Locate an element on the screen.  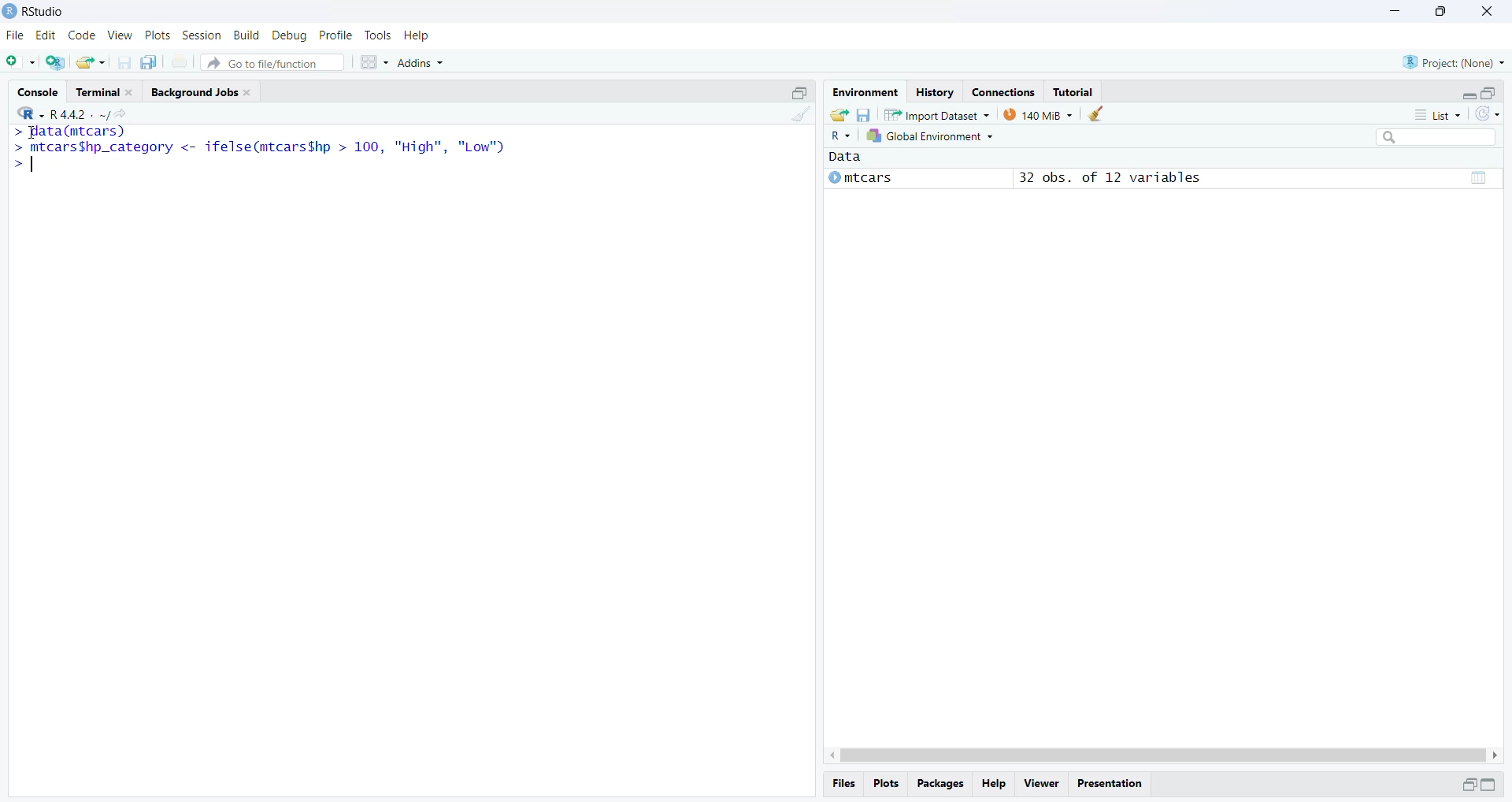
Environment is located at coordinates (865, 92).